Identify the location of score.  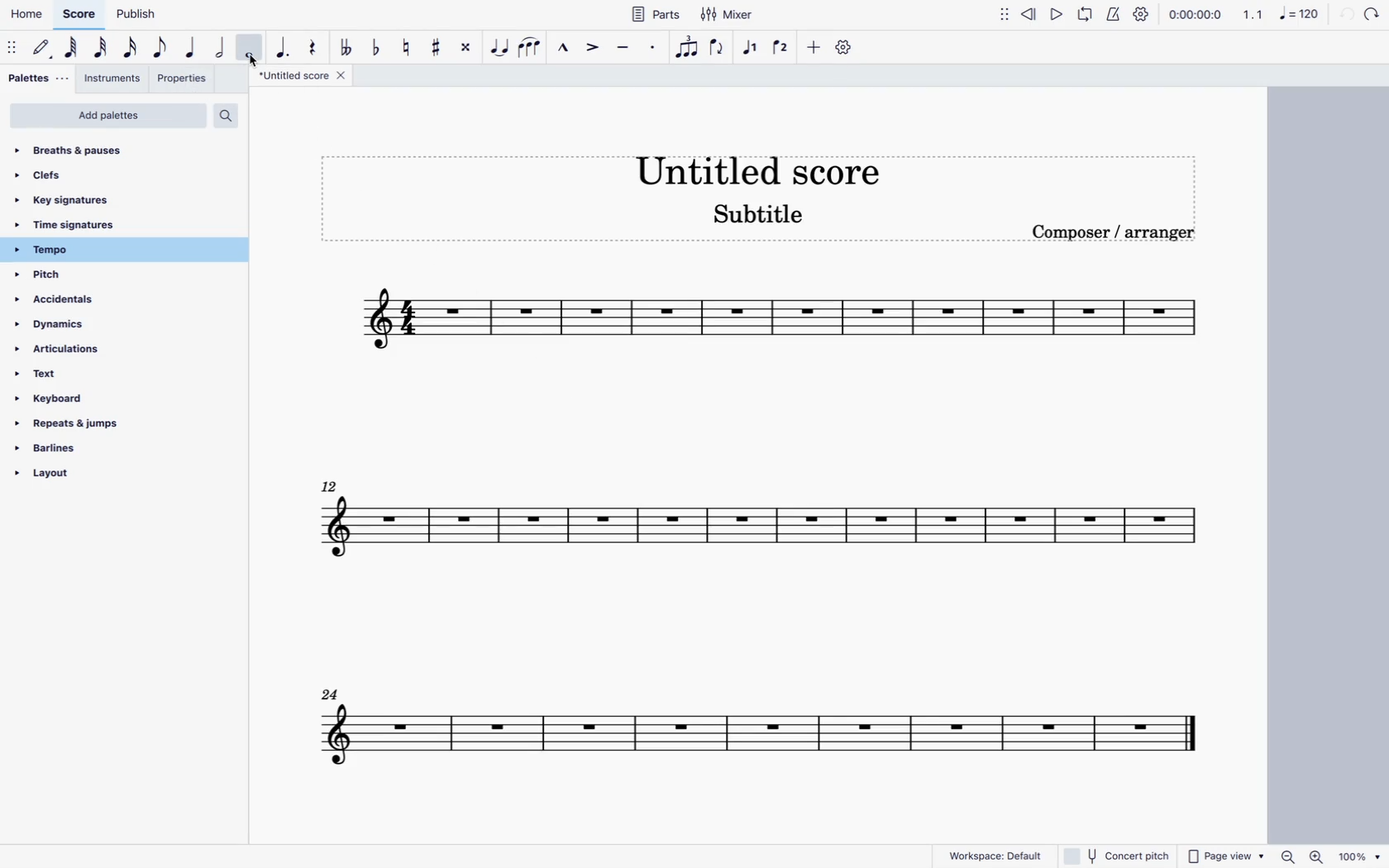
(752, 737).